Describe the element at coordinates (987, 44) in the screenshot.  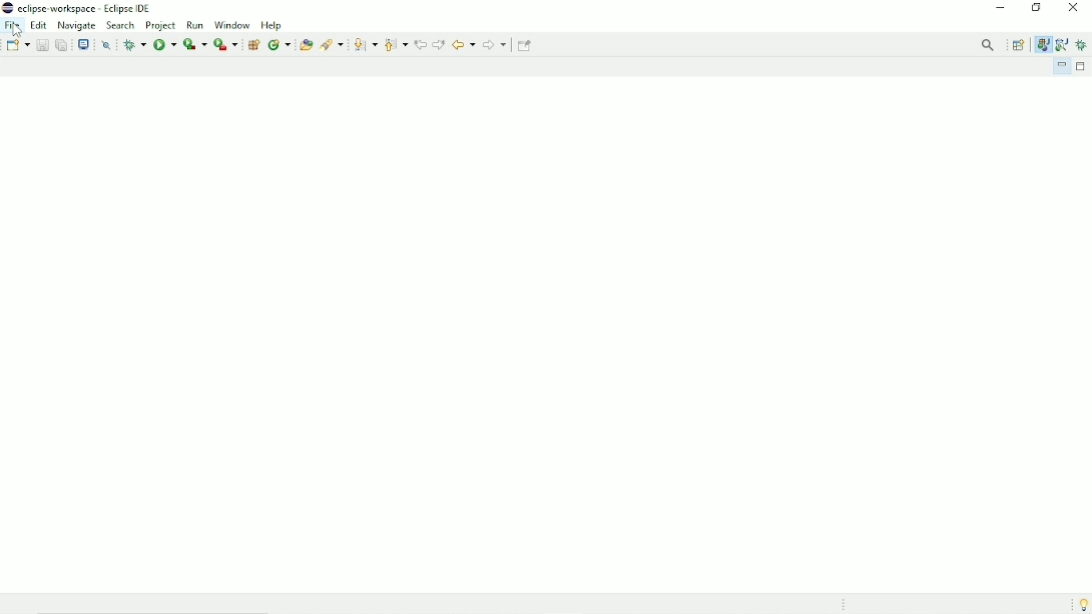
I see `Access commands and other items` at that location.